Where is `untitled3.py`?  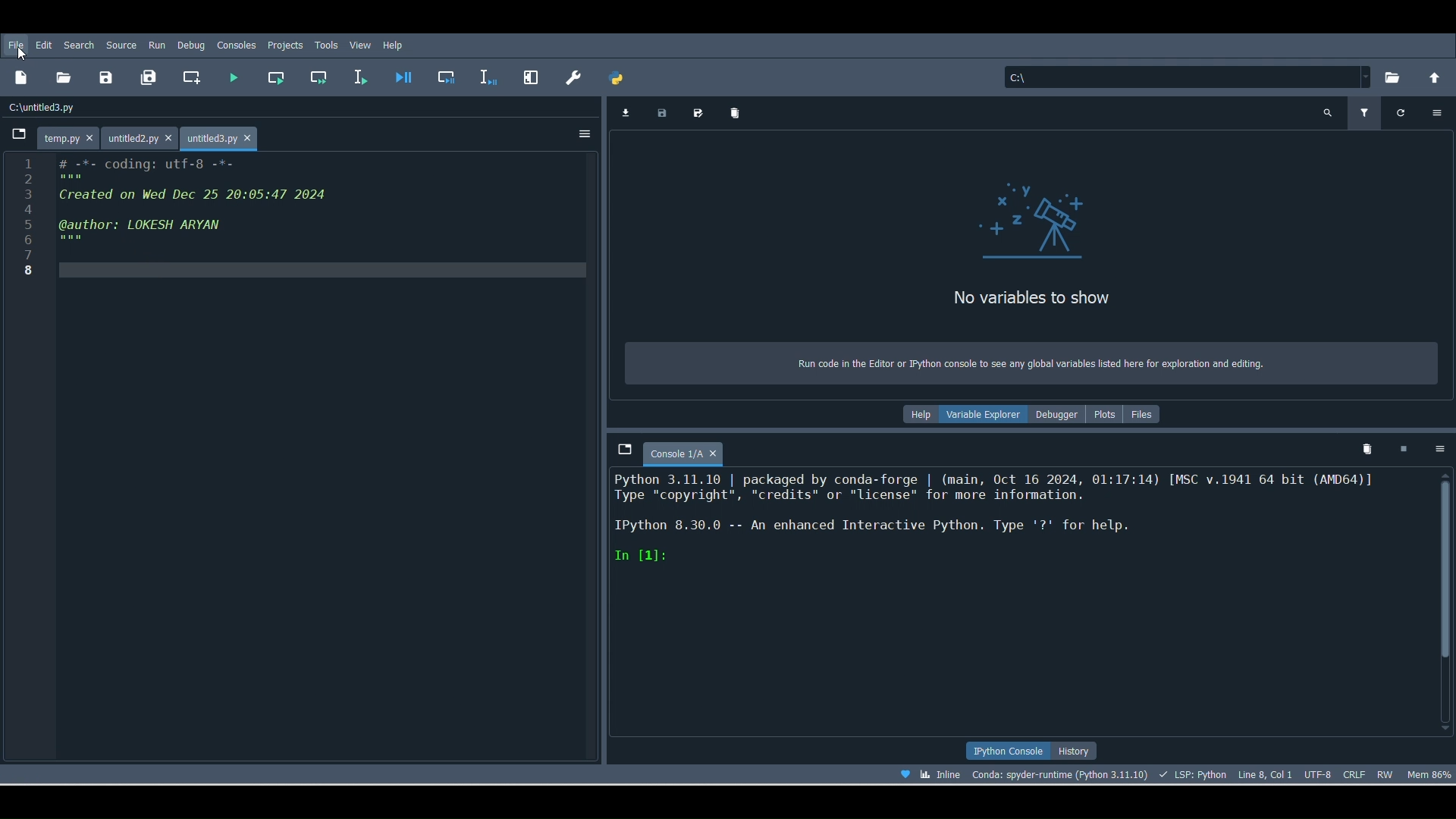 untitled3.py is located at coordinates (226, 136).